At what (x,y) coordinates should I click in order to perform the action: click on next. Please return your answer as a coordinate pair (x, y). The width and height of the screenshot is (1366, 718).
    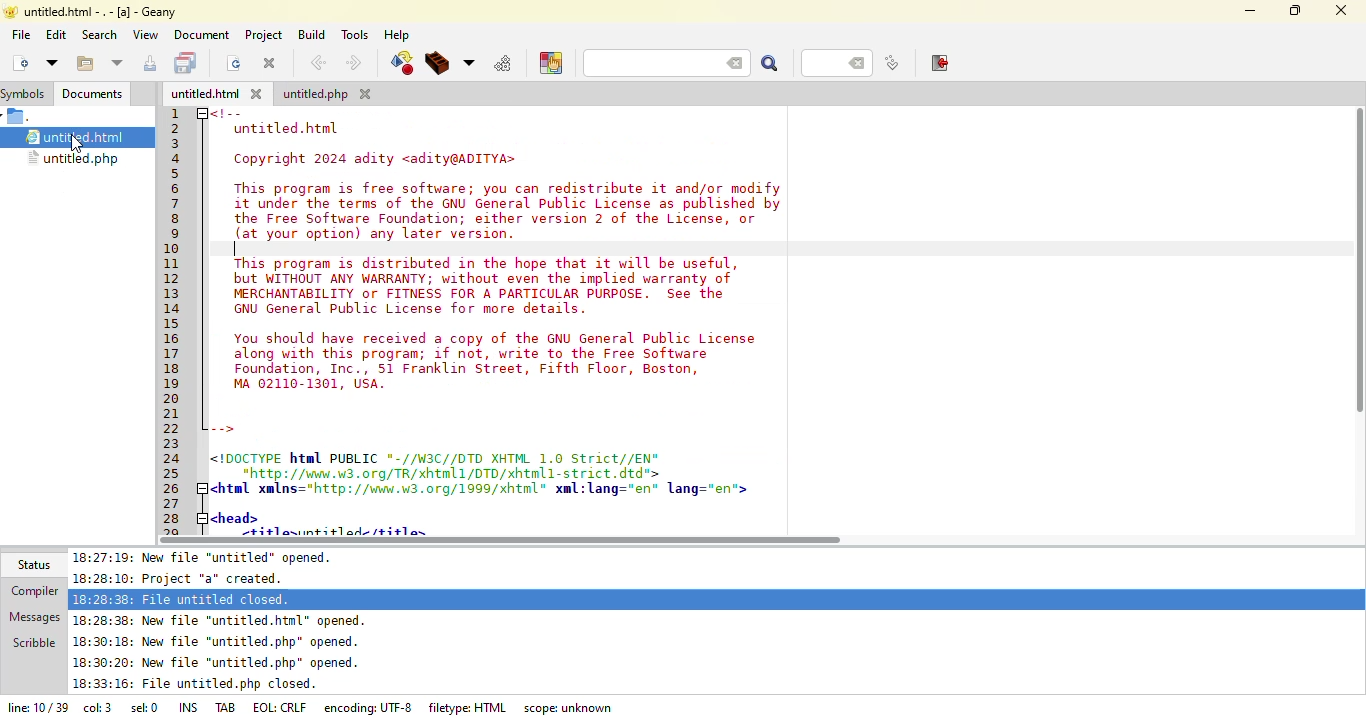
    Looking at the image, I should click on (355, 63).